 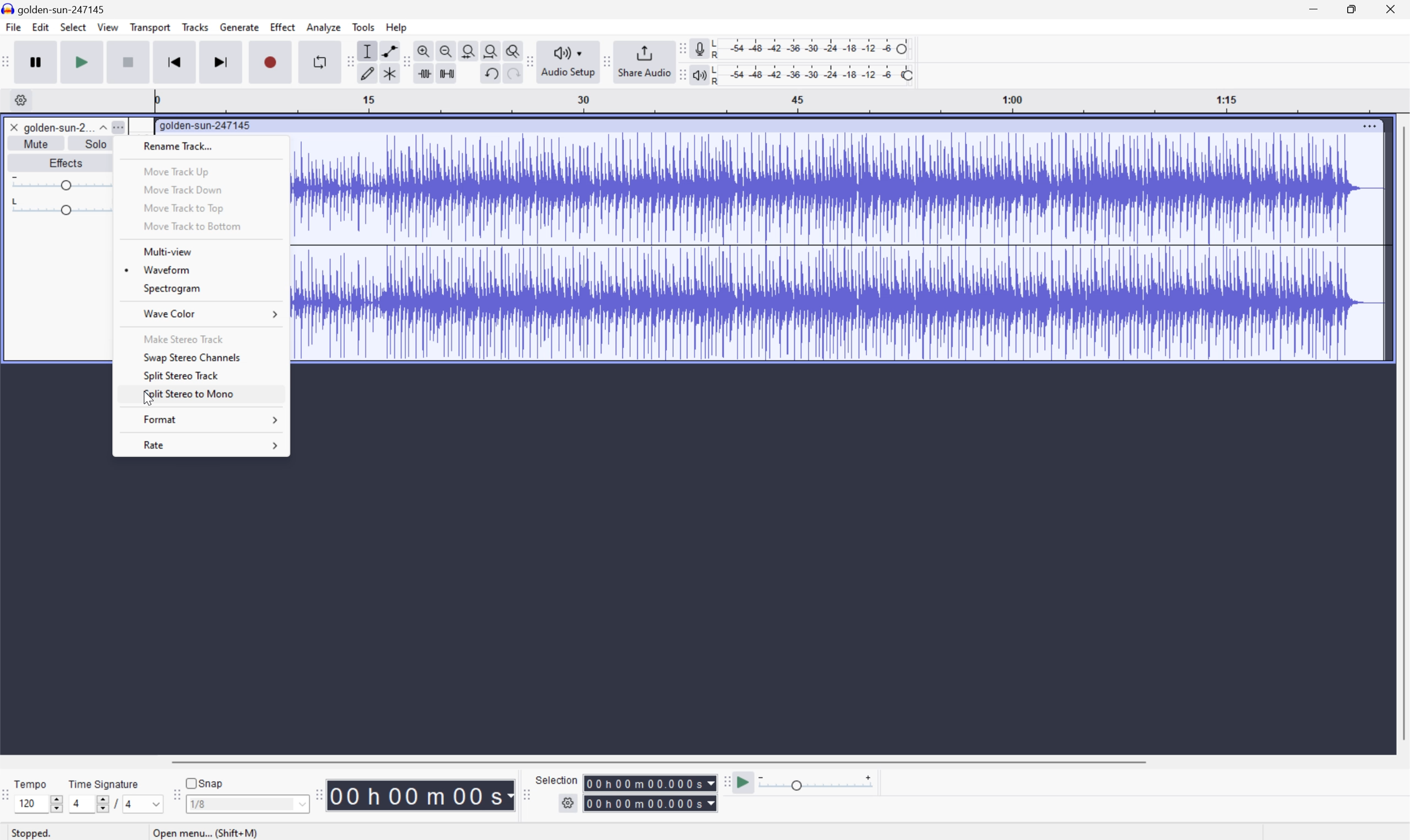 I want to click on Audacity audio setup toolbar, so click(x=528, y=61).